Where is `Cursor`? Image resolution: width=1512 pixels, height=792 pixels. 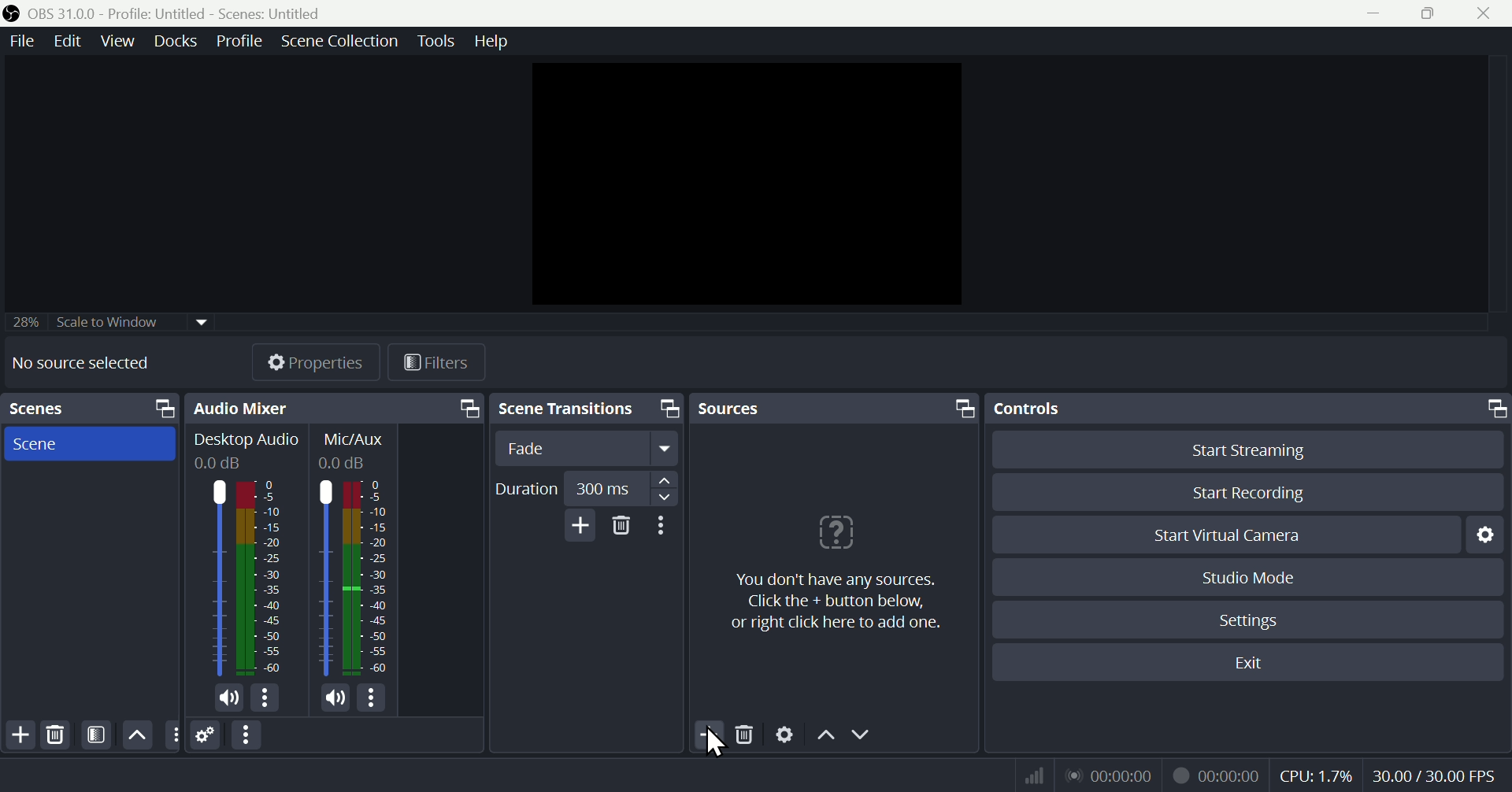 Cursor is located at coordinates (712, 744).